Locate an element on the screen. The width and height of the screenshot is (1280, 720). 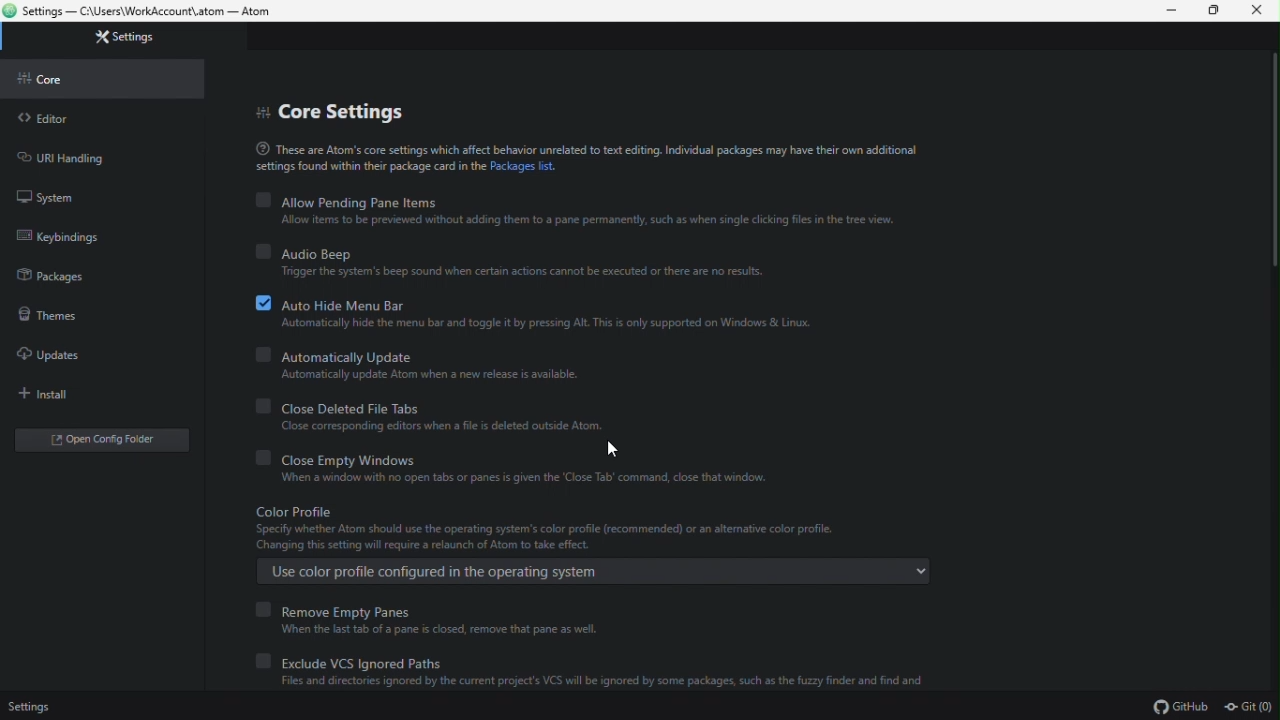
When the last tab of a pane is closed, remove that pane as well. is located at coordinates (451, 628).